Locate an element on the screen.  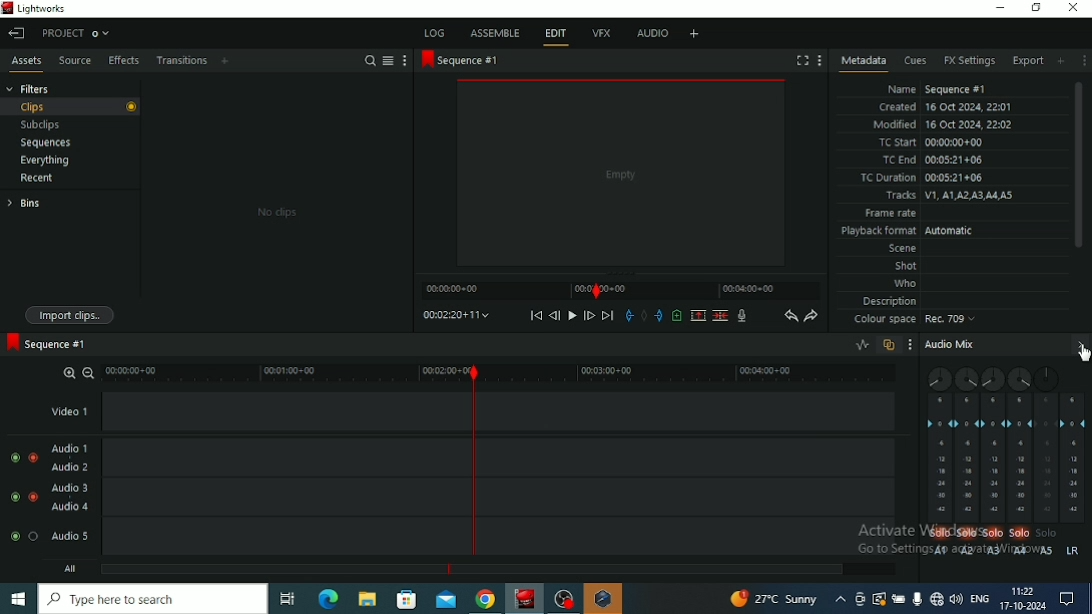
Media Preview is located at coordinates (621, 172).